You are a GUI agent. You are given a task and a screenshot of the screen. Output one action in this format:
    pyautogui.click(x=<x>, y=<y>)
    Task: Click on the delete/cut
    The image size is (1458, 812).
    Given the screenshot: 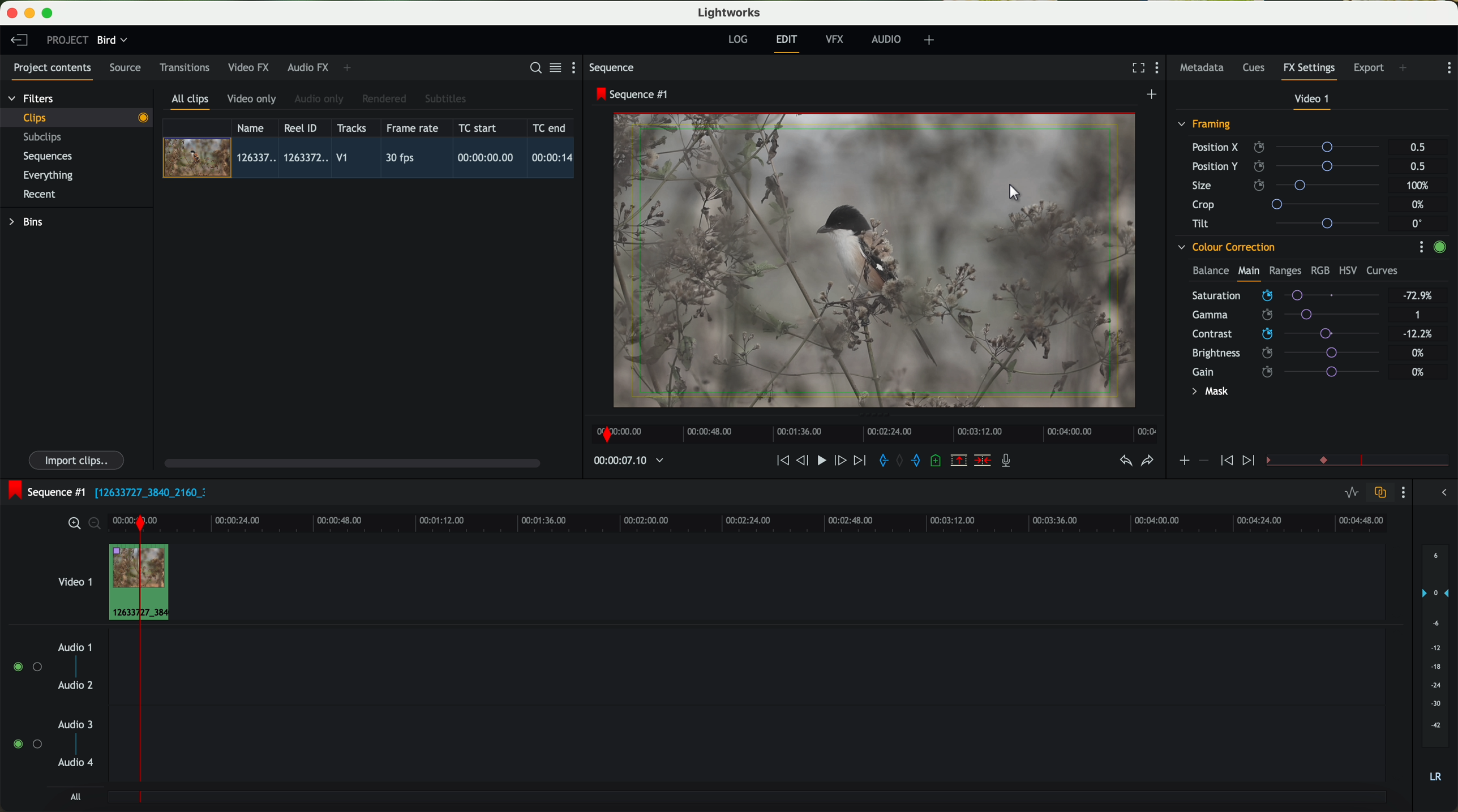 What is the action you would take?
    pyautogui.click(x=983, y=461)
    